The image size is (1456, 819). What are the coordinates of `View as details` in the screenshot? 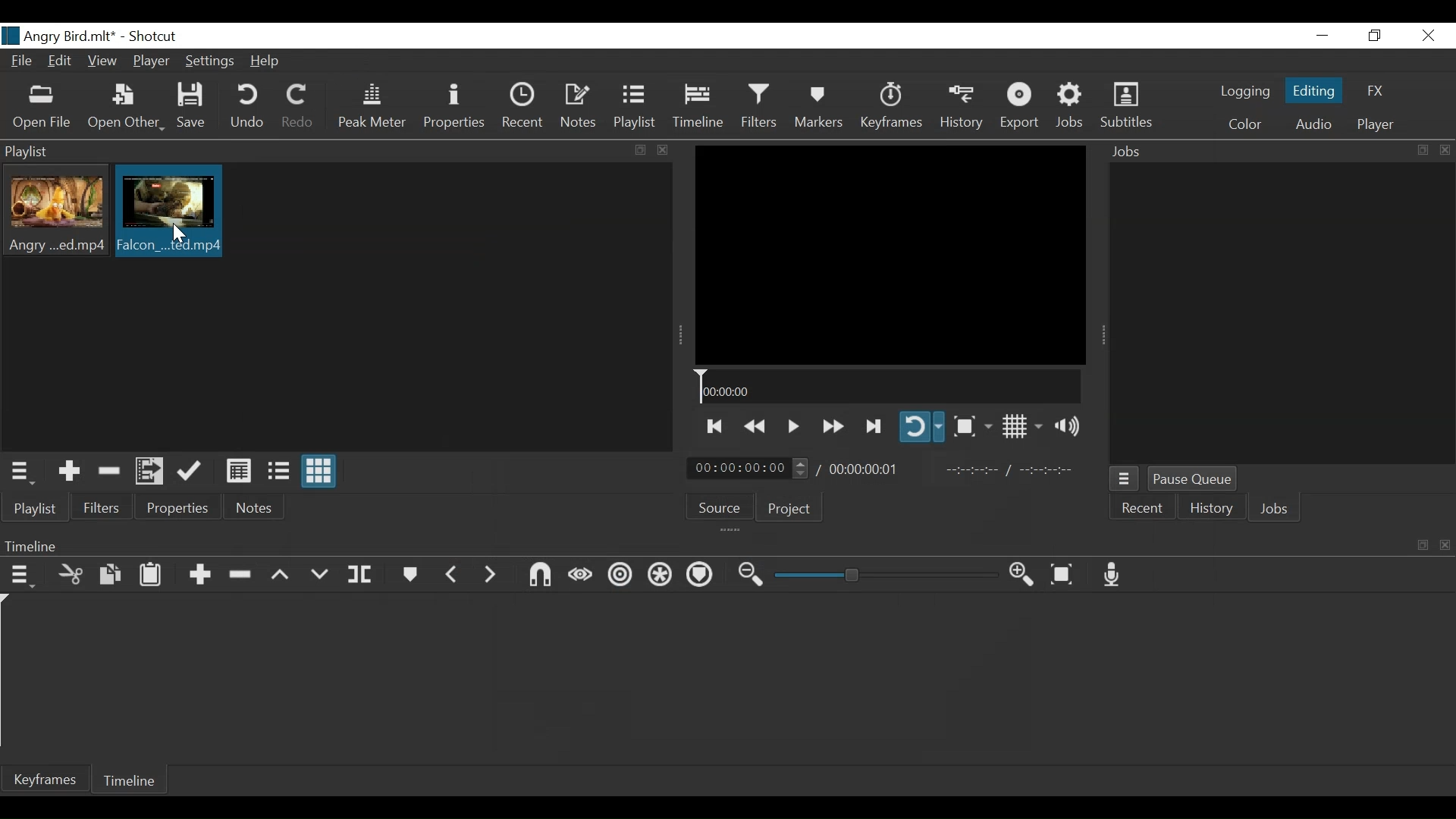 It's located at (240, 472).